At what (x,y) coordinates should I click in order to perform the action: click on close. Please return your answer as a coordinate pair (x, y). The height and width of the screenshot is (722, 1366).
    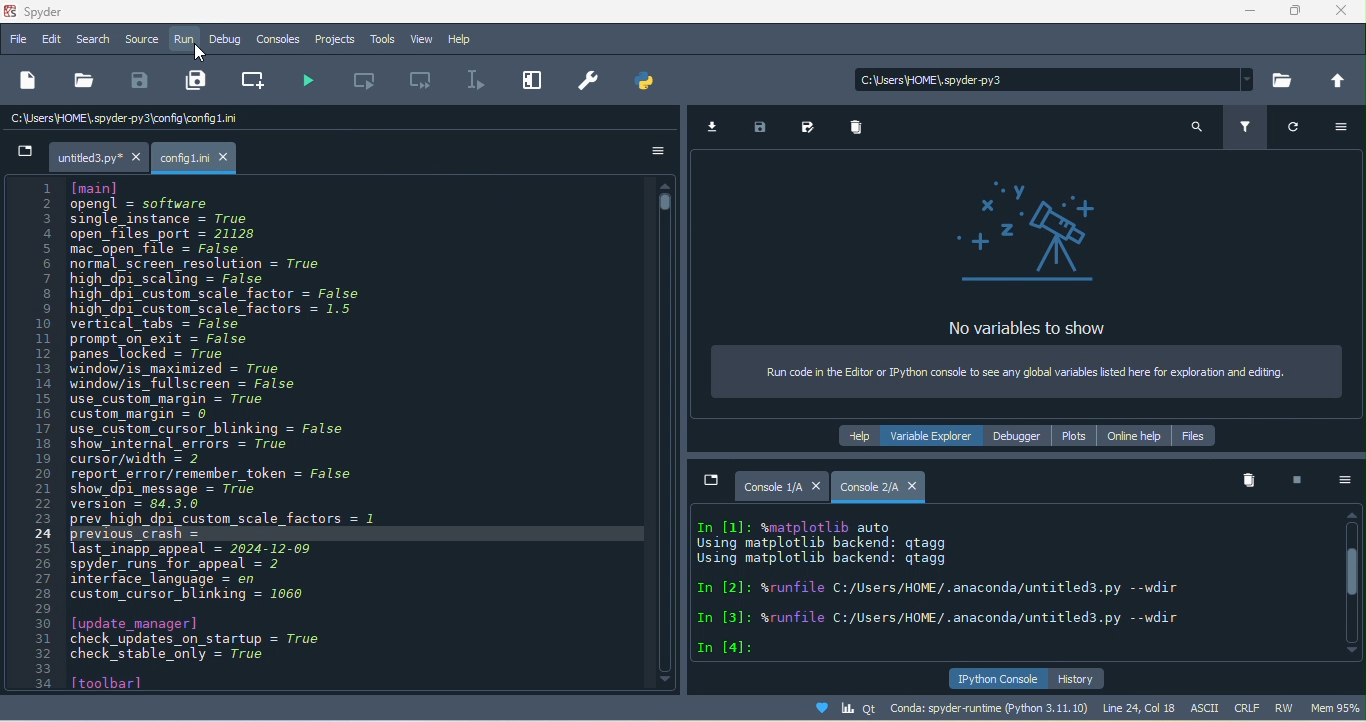
    Looking at the image, I should click on (1345, 15).